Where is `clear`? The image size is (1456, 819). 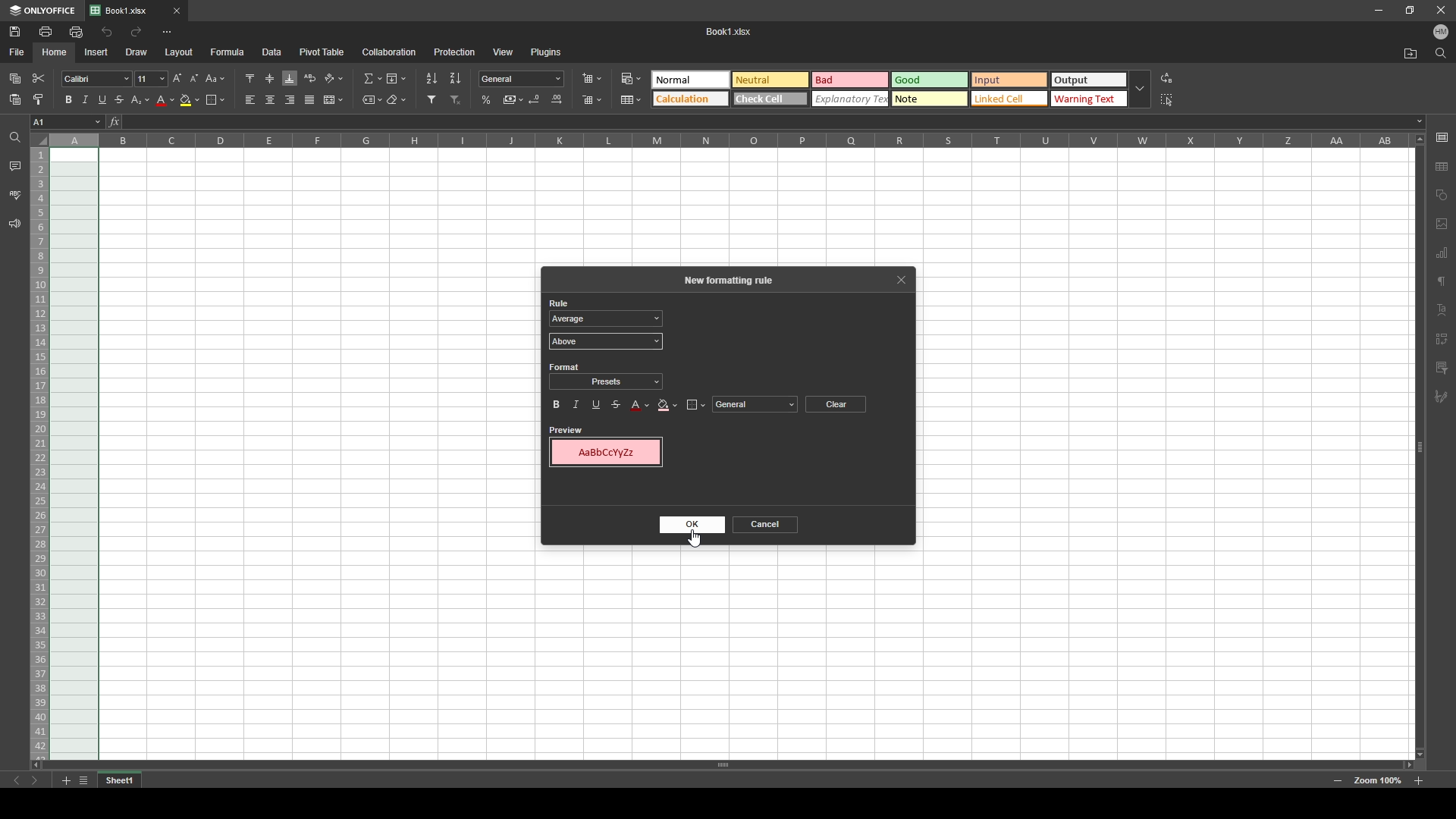
clear is located at coordinates (397, 100).